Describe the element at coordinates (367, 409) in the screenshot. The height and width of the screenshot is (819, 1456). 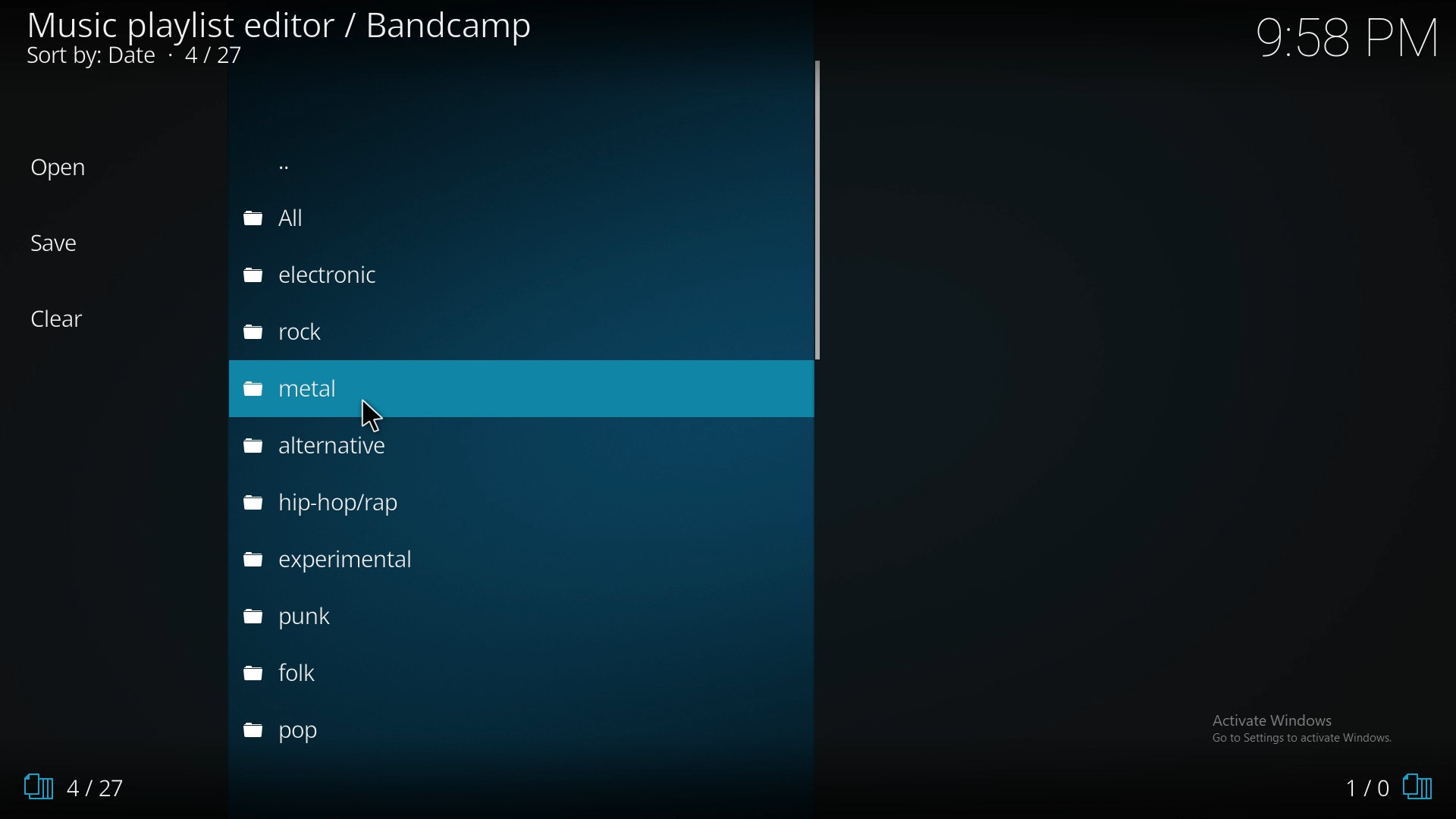
I see `pointer cursor` at that location.